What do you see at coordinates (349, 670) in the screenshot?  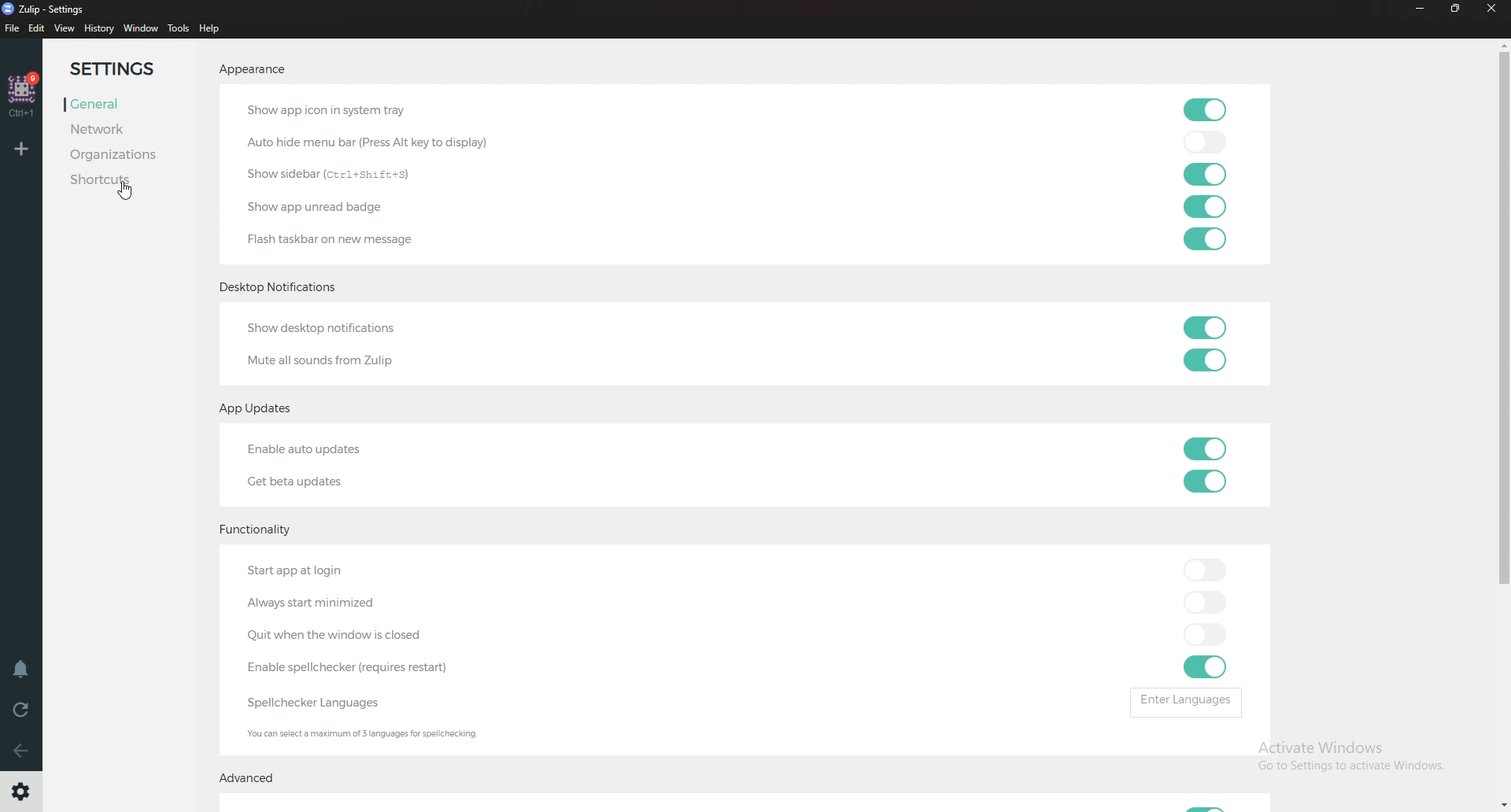 I see `enable spell checker` at bounding box center [349, 670].